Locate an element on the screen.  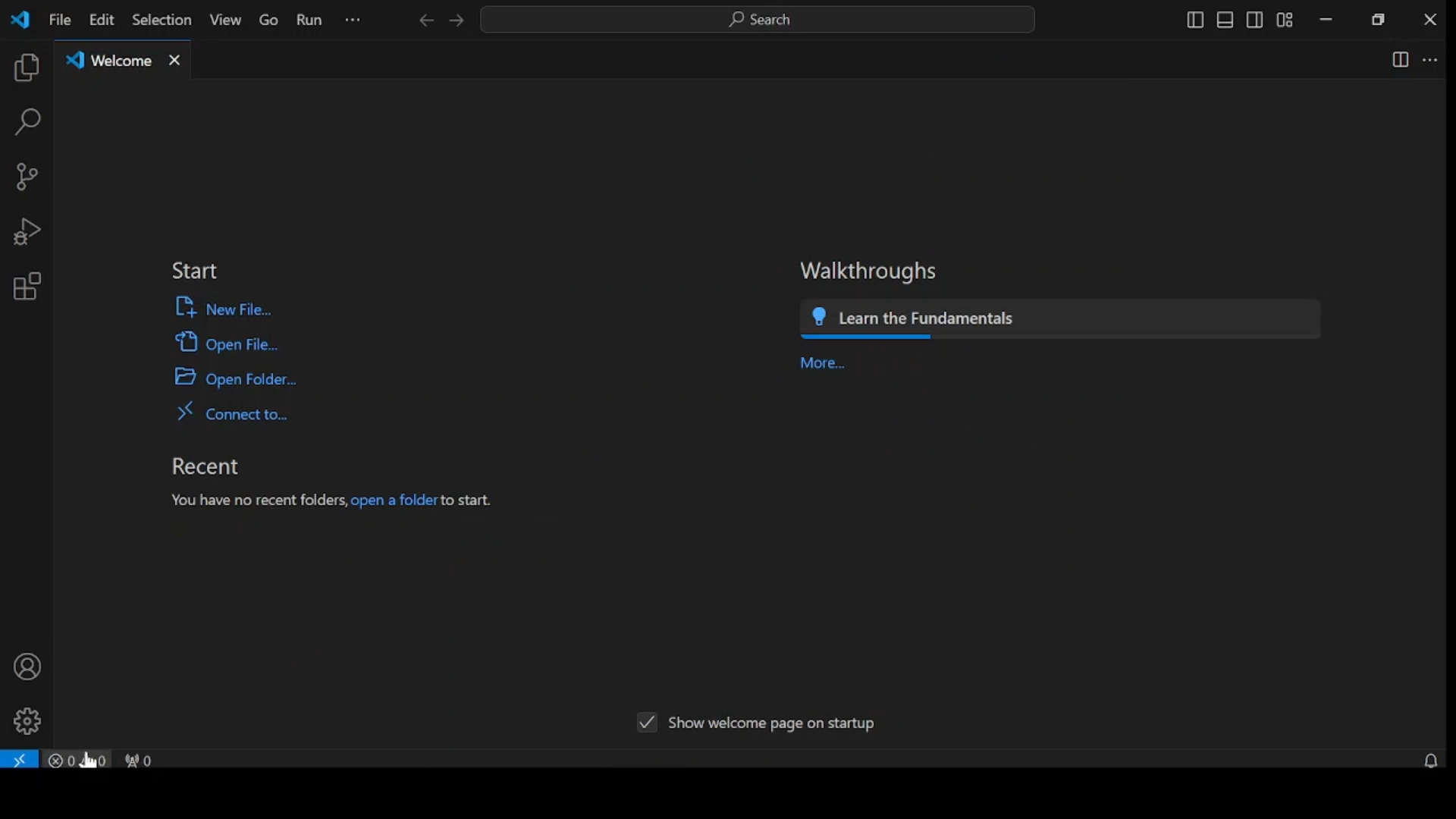
run is located at coordinates (309, 20).